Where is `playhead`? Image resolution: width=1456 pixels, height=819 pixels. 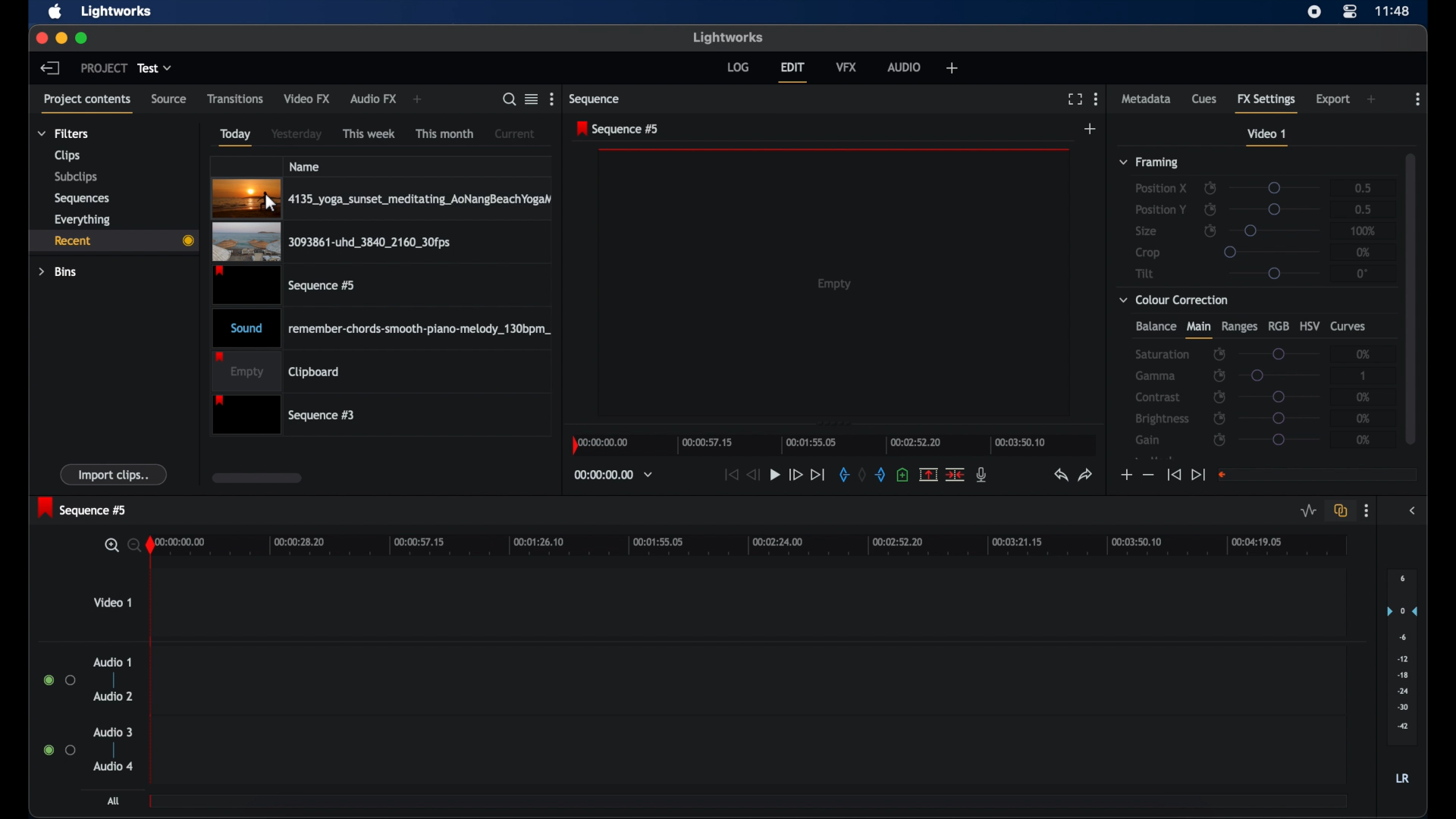
playhead is located at coordinates (153, 657).